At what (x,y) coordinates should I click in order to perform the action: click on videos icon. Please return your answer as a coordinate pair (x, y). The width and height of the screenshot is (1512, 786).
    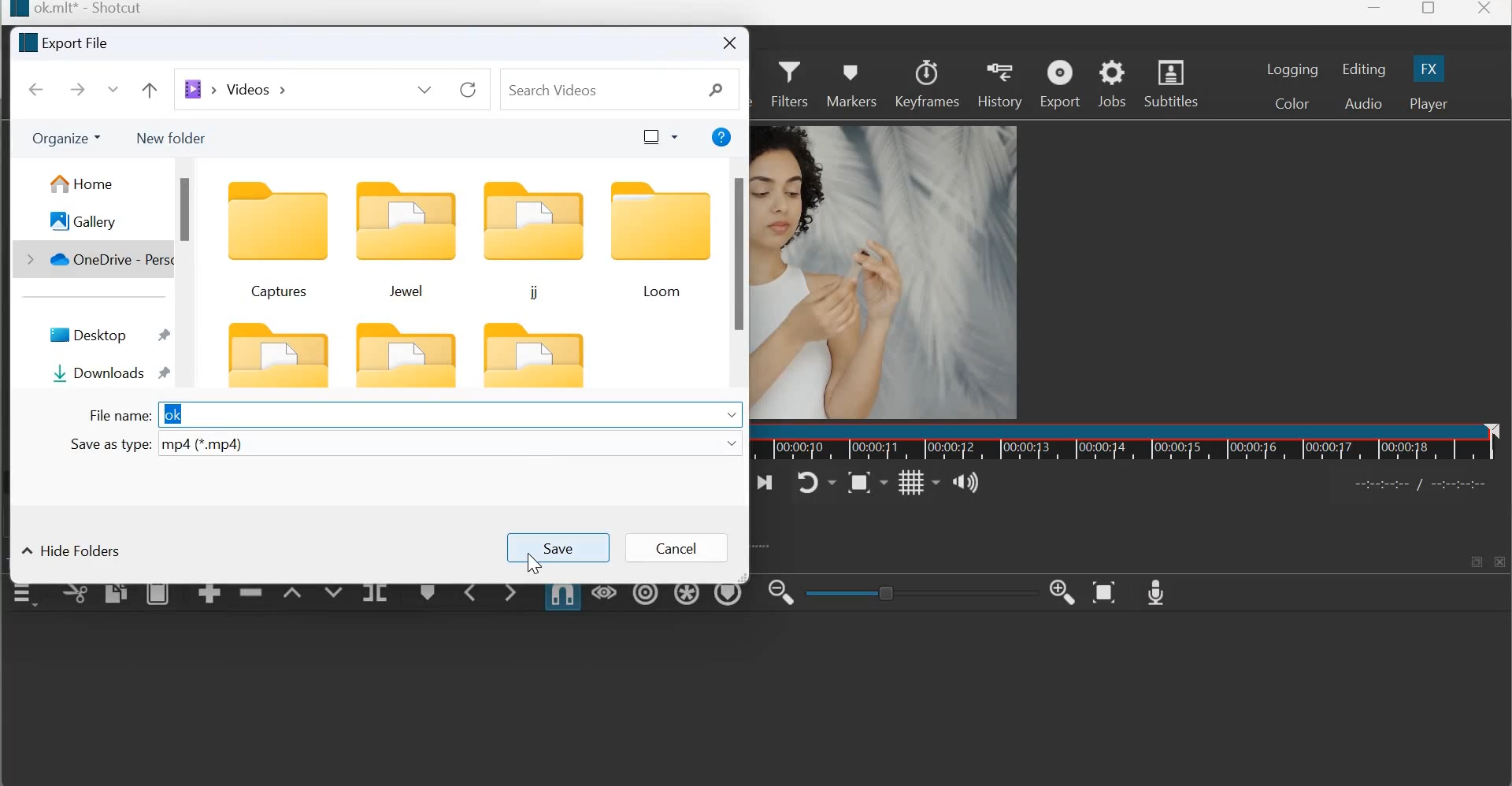
    Looking at the image, I should click on (201, 89).